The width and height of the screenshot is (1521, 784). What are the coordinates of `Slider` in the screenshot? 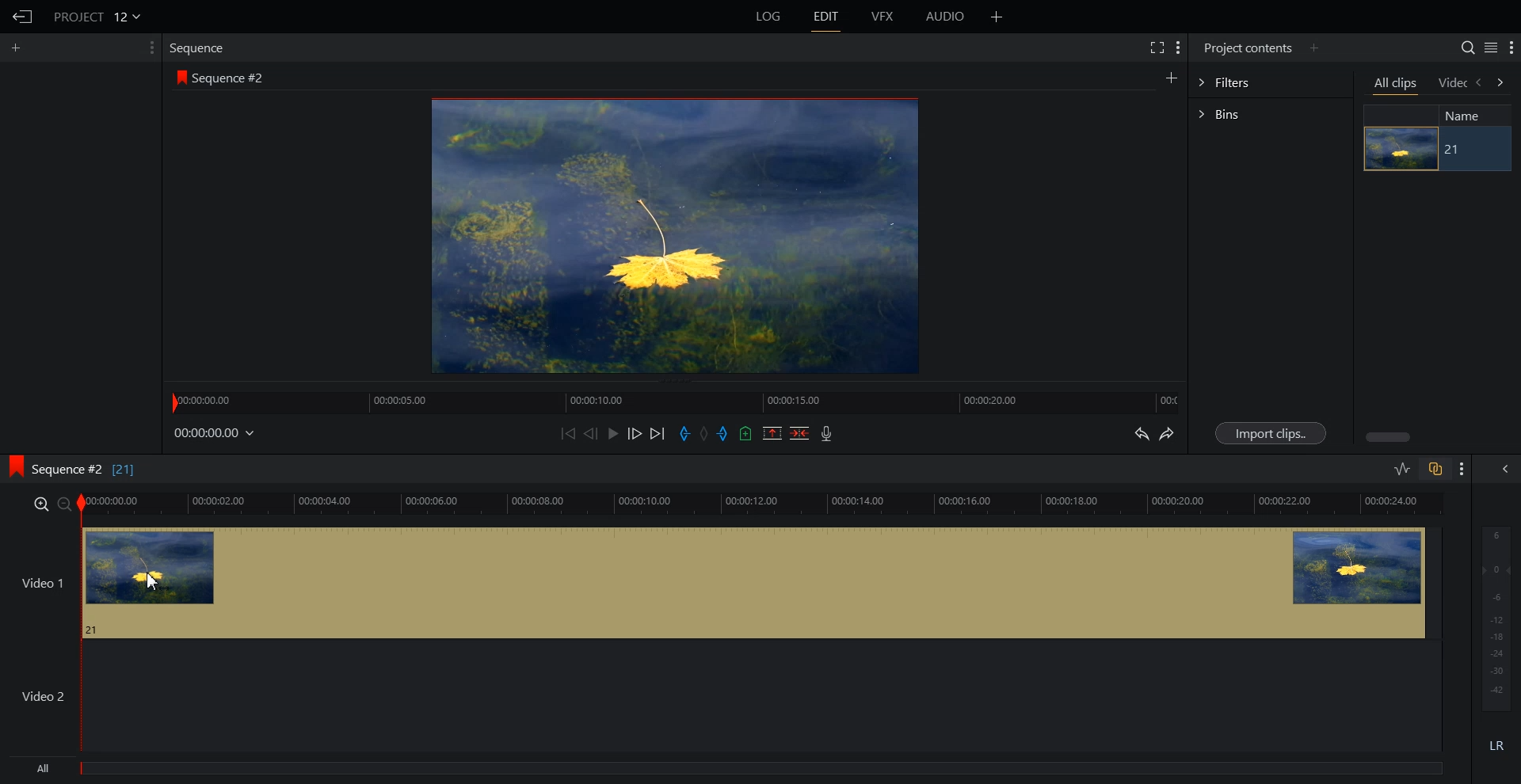 It's located at (676, 401).